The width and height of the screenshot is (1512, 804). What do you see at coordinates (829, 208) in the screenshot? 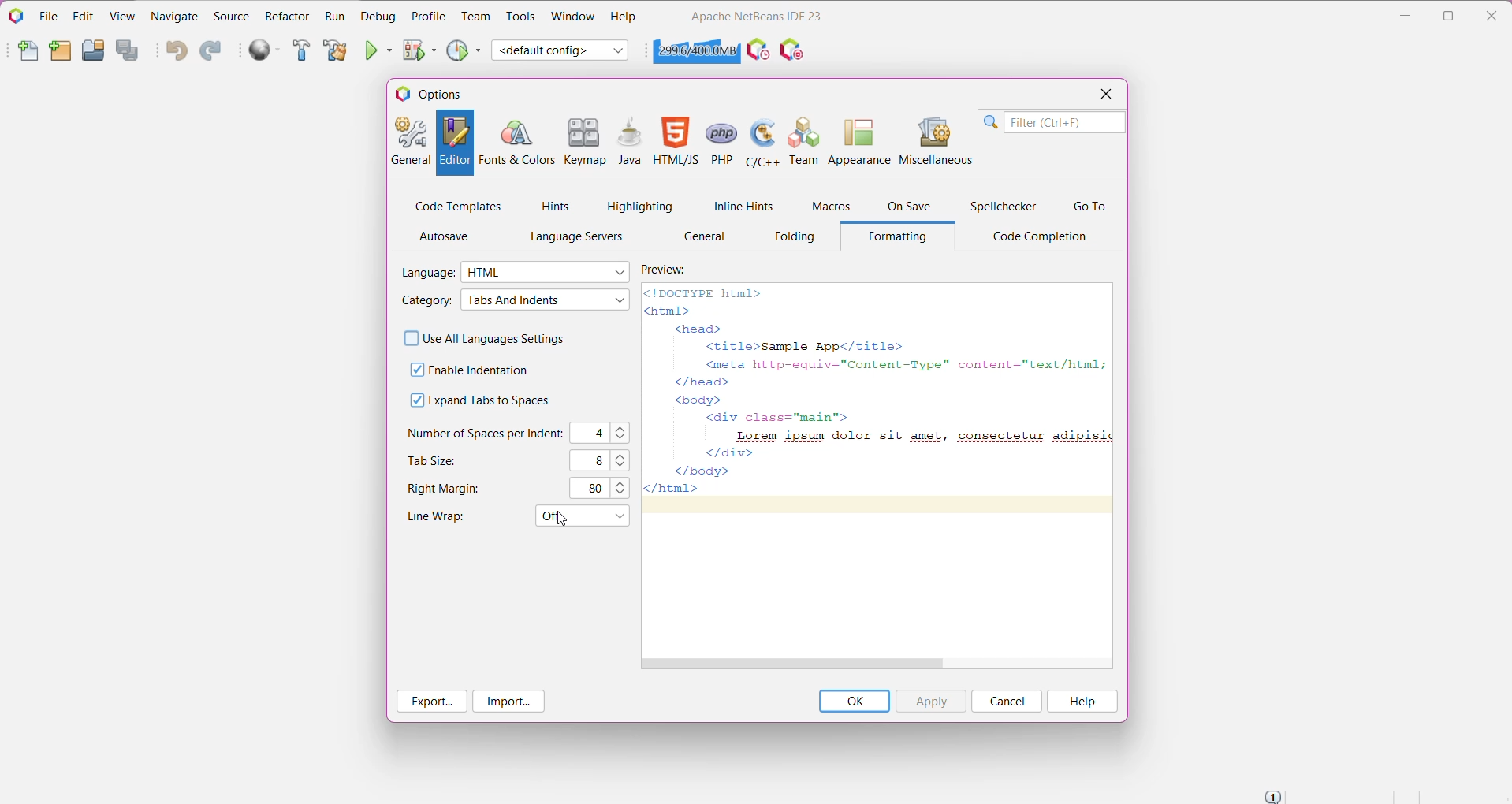
I see `Macros` at bounding box center [829, 208].